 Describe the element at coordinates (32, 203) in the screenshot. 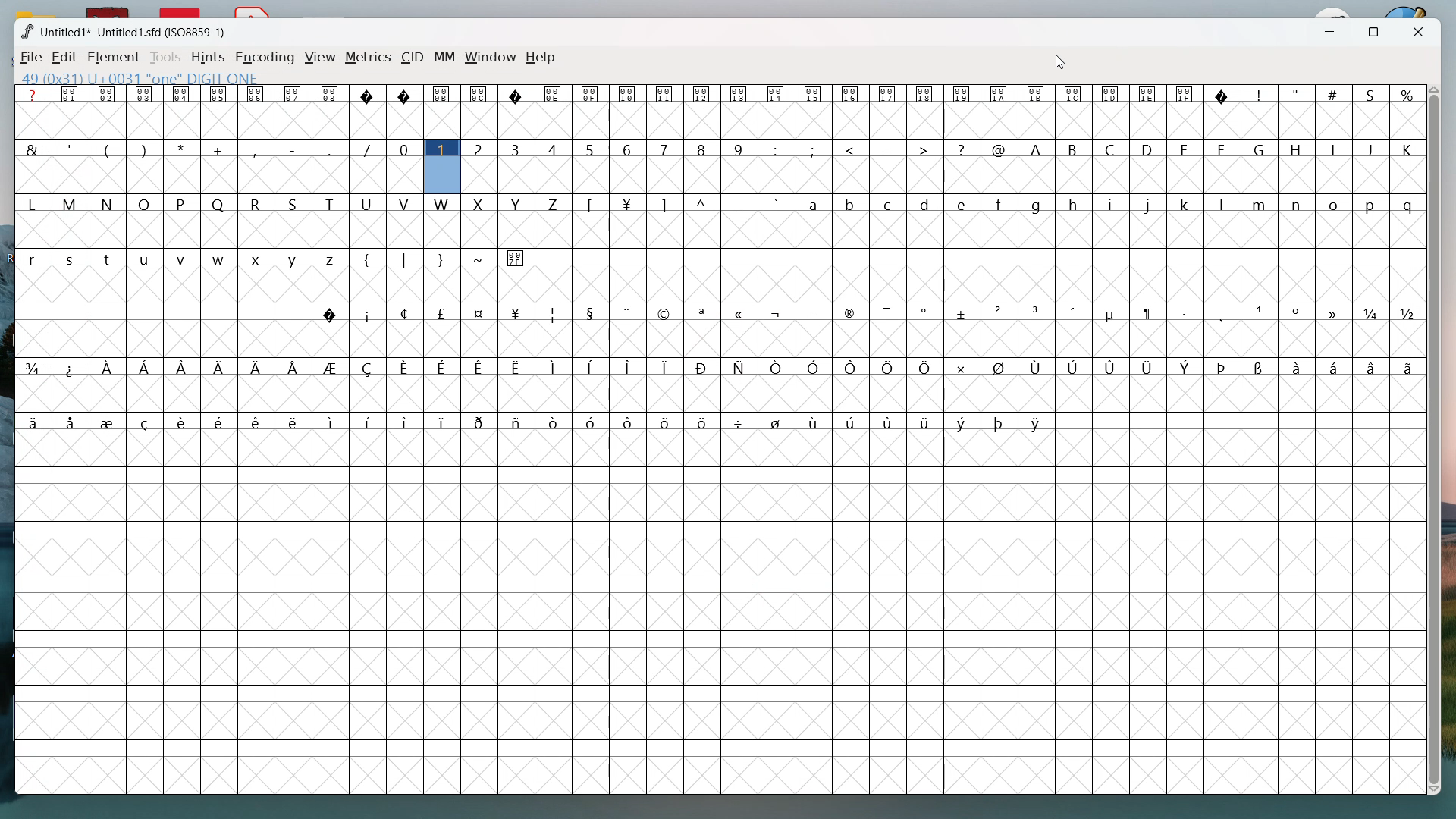

I see `L` at that location.